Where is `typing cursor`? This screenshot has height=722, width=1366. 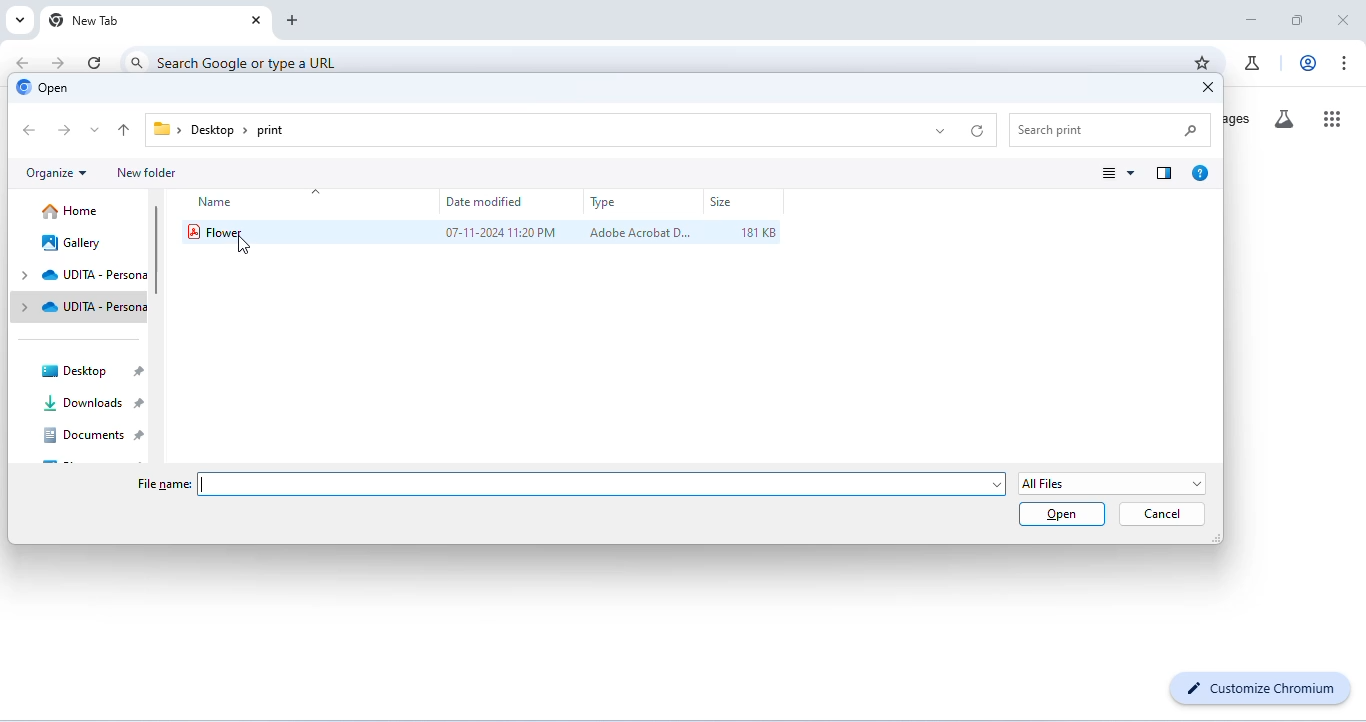 typing cursor is located at coordinates (602, 486).